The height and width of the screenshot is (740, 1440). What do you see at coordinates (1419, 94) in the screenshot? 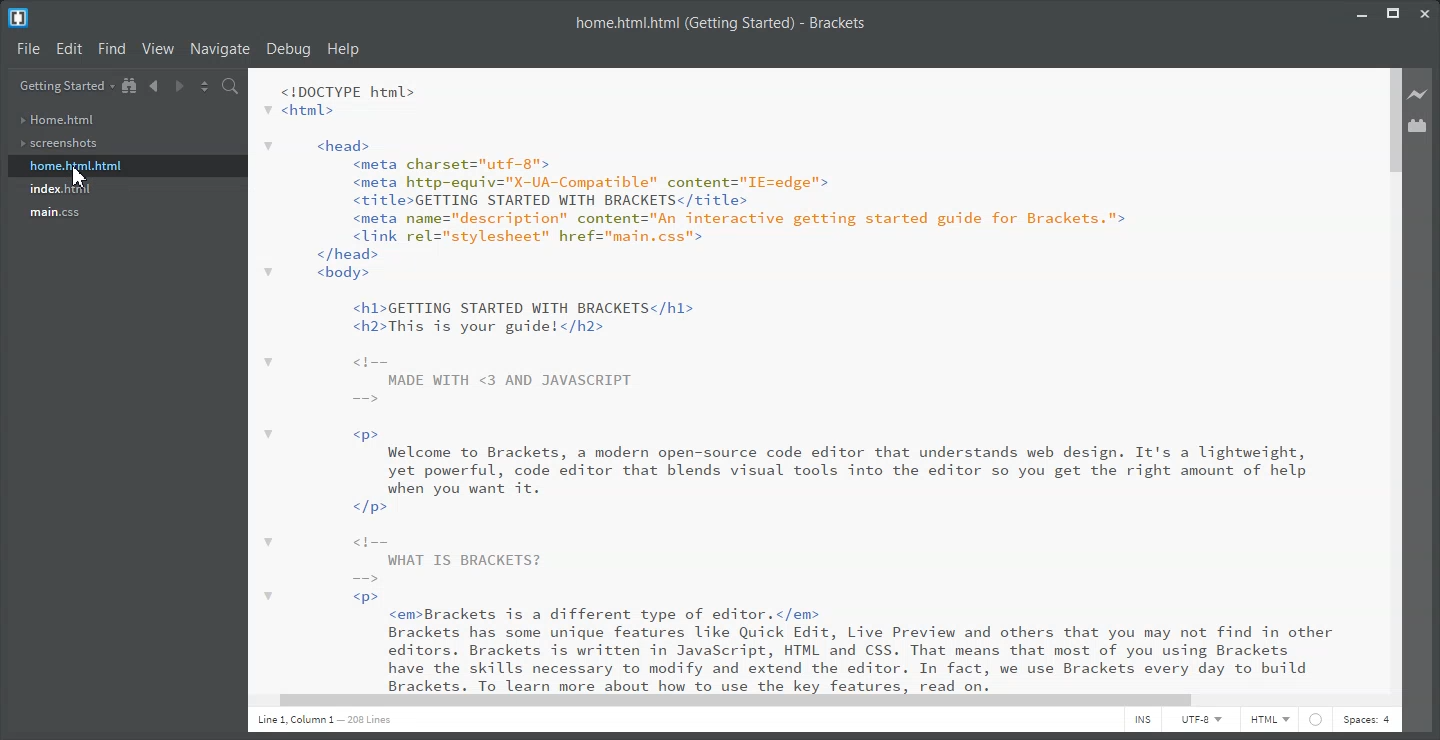
I see `Live preview` at bounding box center [1419, 94].